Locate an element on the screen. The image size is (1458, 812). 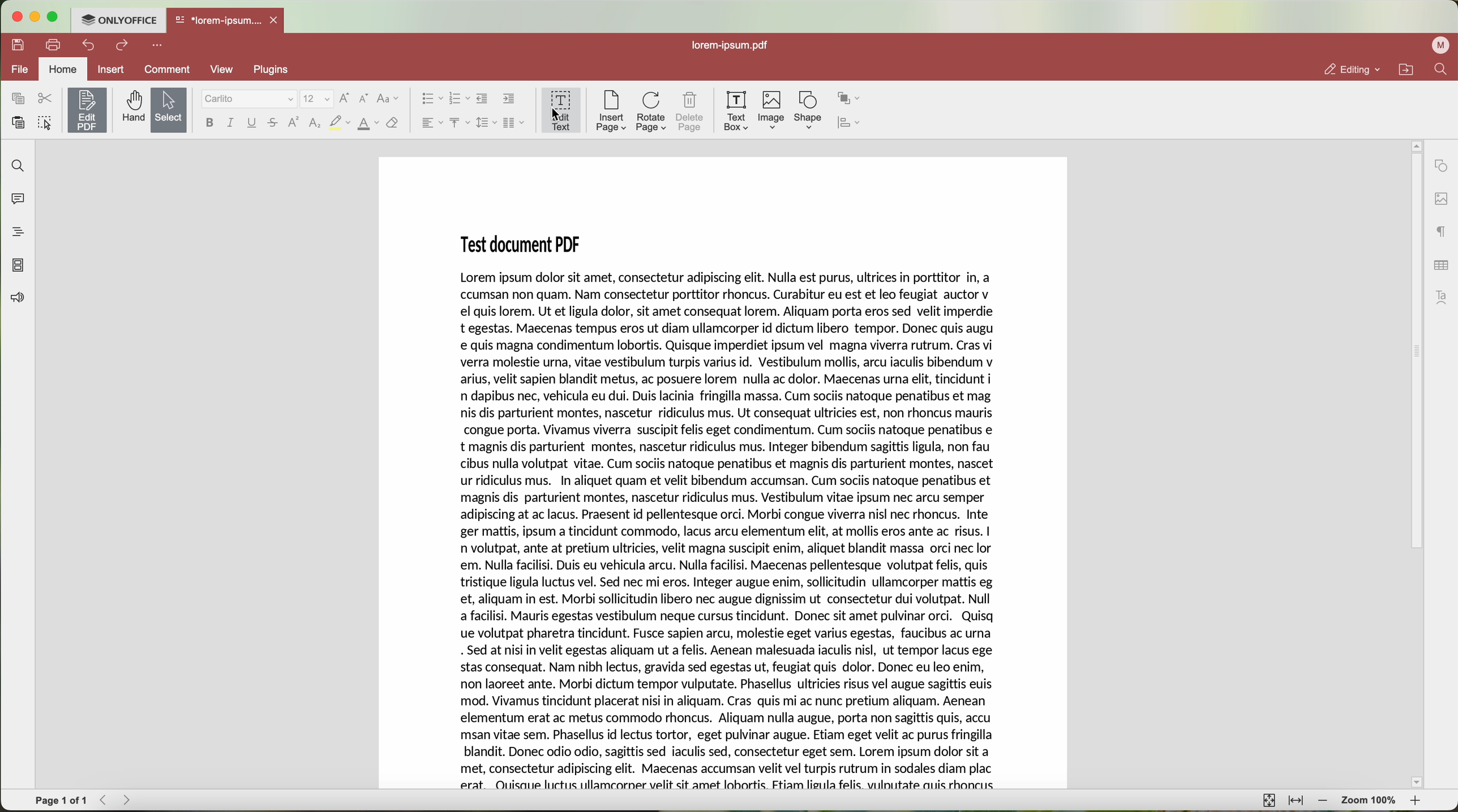
cursor is located at coordinates (555, 117).